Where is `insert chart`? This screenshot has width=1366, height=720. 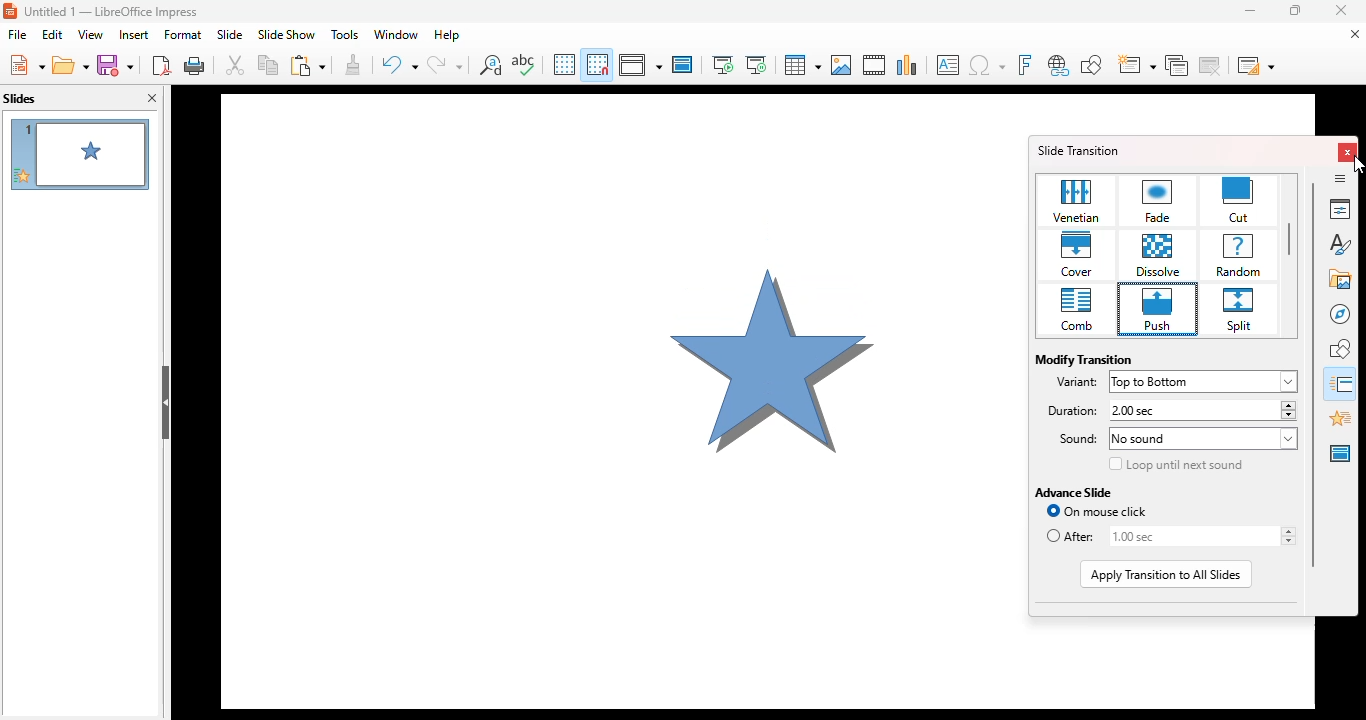 insert chart is located at coordinates (908, 65).